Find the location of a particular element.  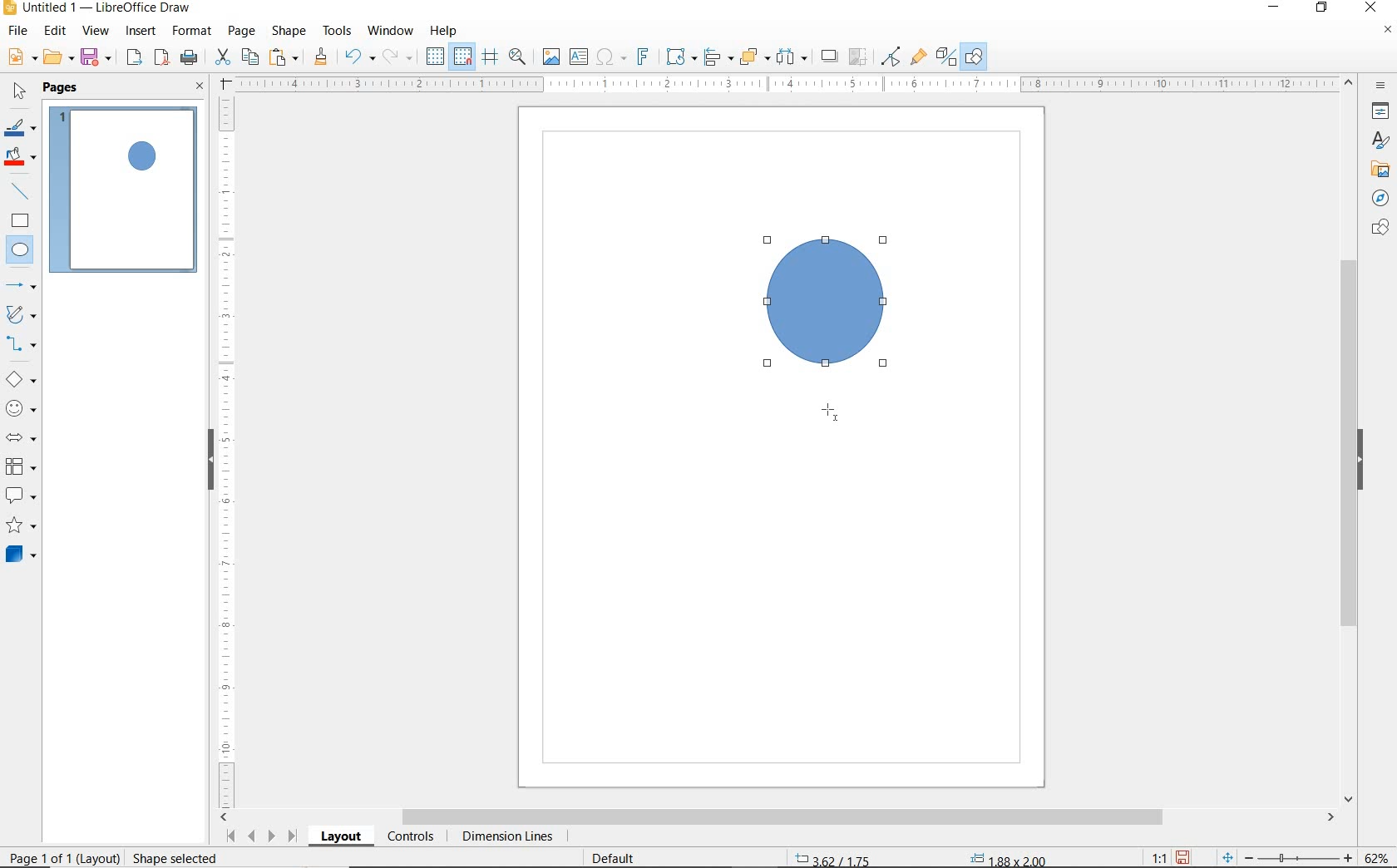

CLOSE is located at coordinates (1370, 6).